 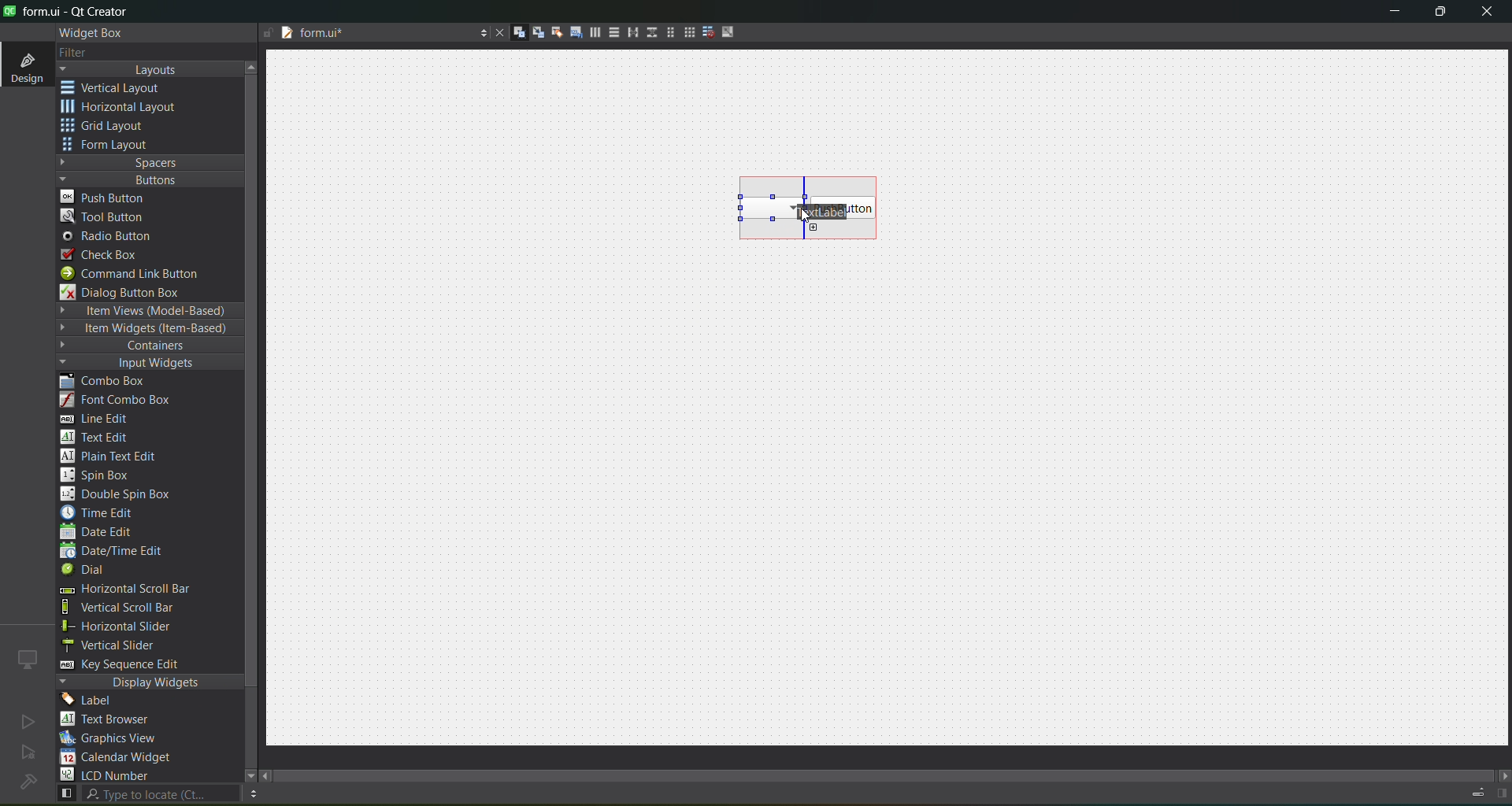 I want to click on edit buddies, so click(x=551, y=32).